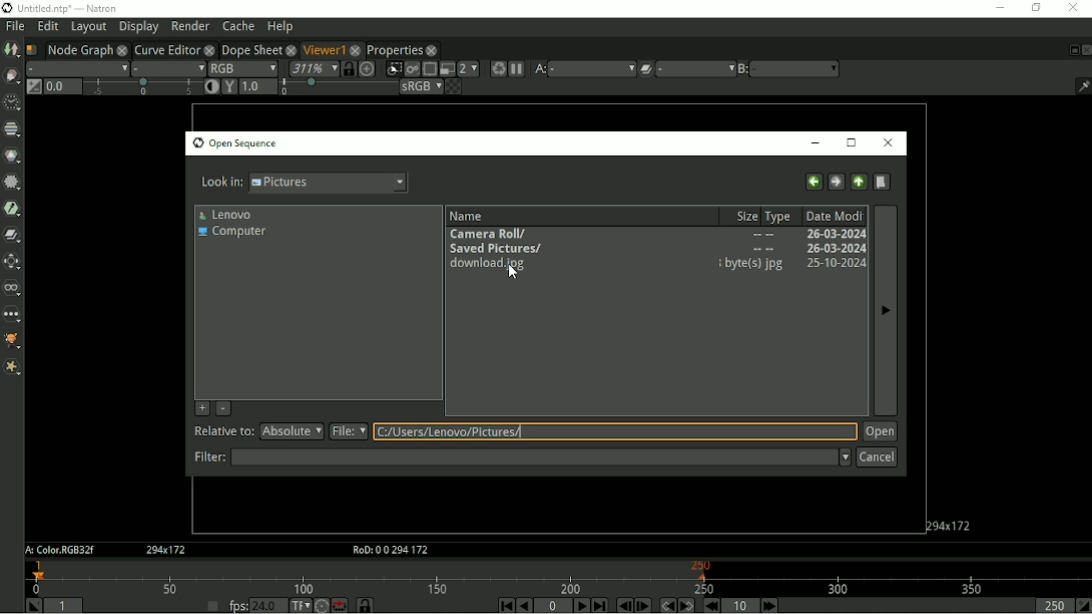  Describe the element at coordinates (393, 69) in the screenshot. I see `Clips portion of image` at that location.